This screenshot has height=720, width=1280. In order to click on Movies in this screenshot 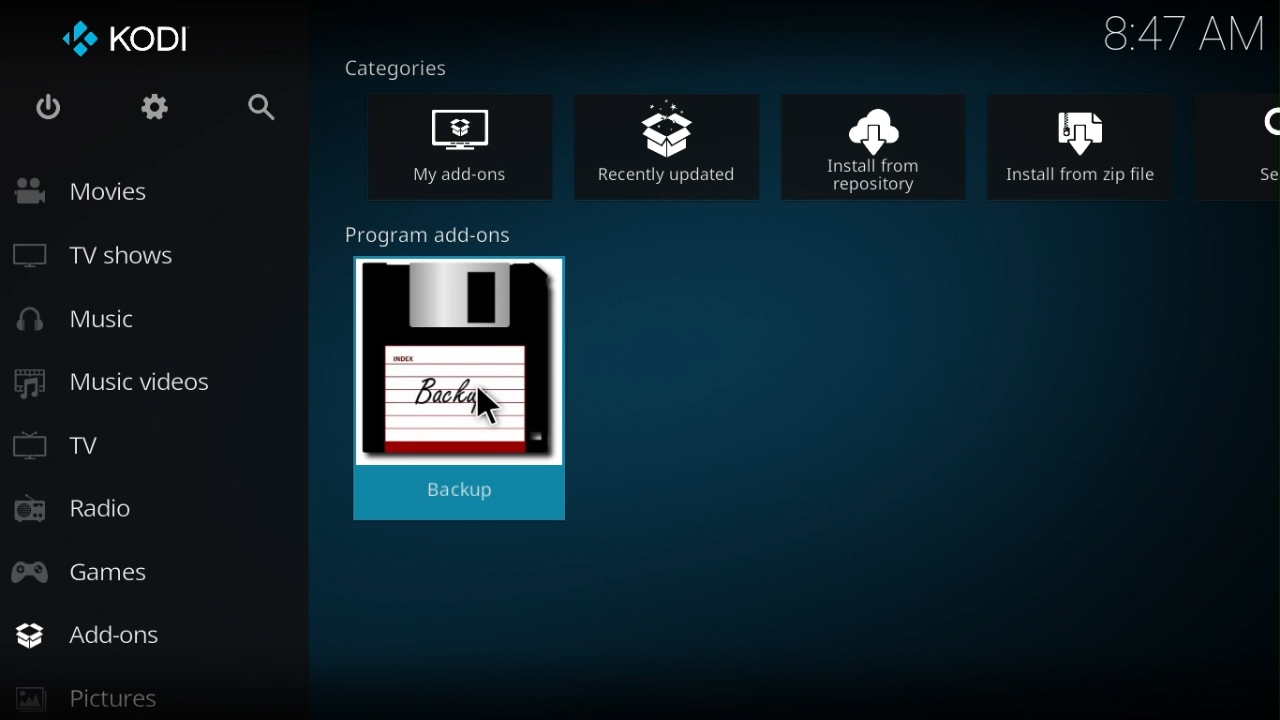, I will do `click(128, 191)`.